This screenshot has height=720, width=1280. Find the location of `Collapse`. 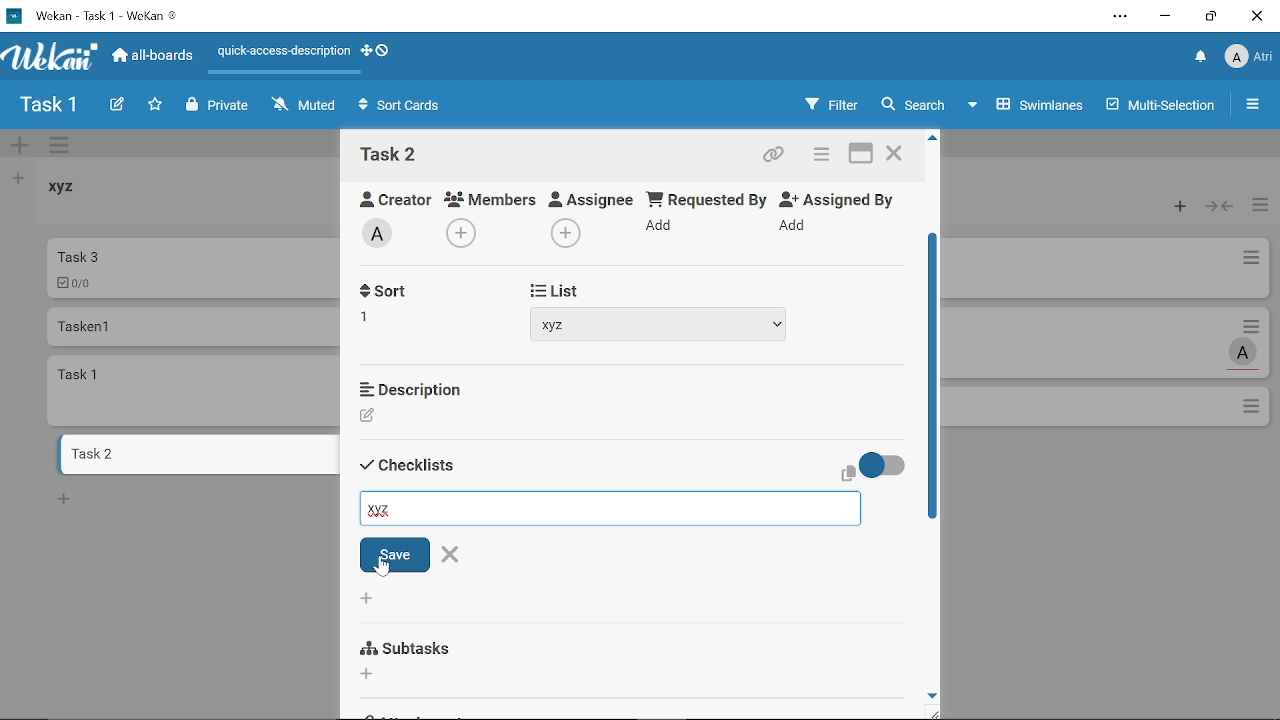

Collapse is located at coordinates (1221, 207).